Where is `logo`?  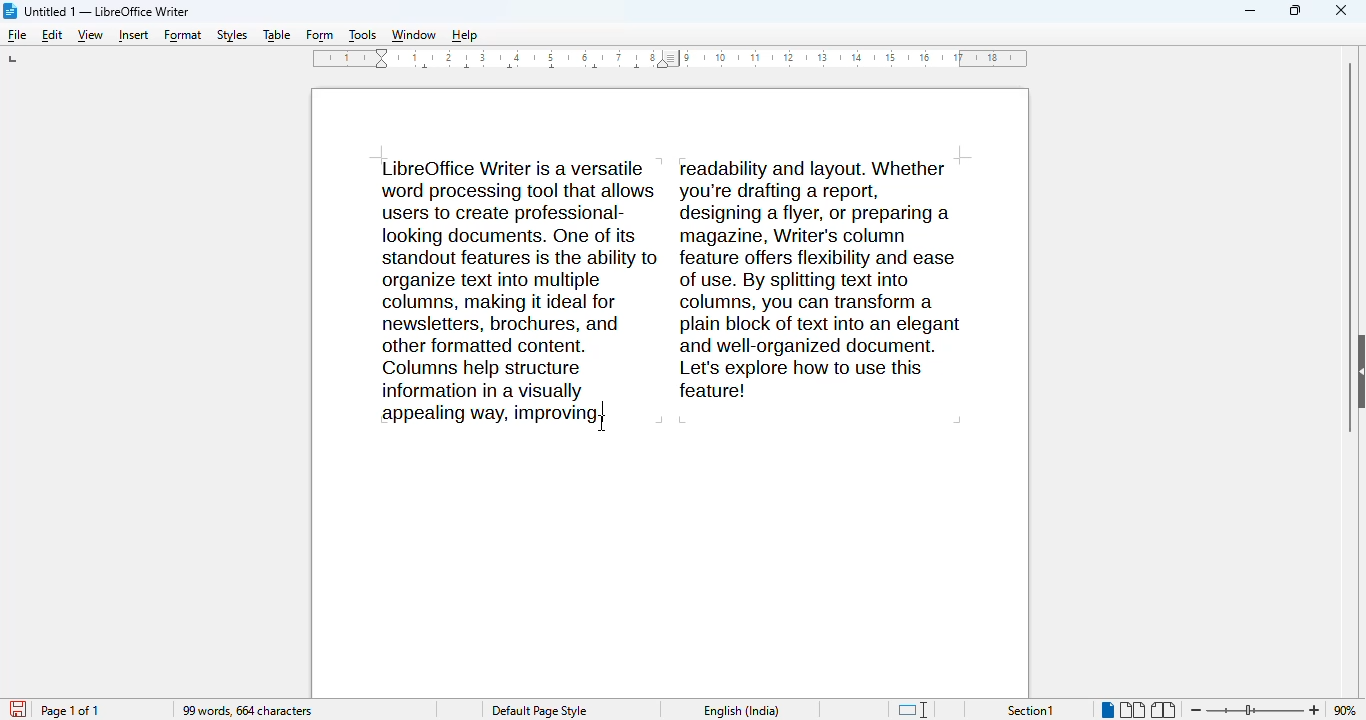
logo is located at coordinates (10, 11).